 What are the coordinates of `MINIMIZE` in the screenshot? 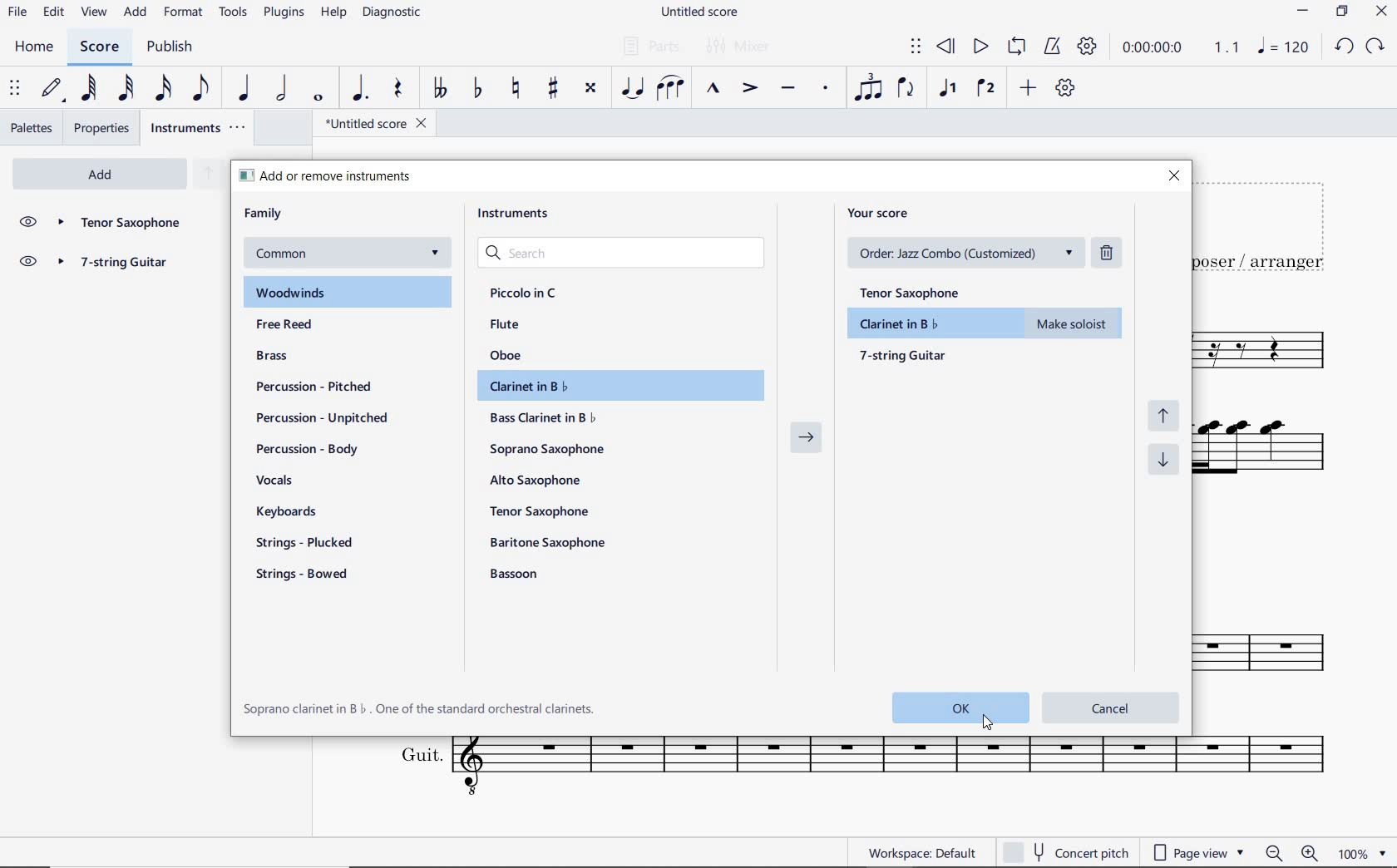 It's located at (1304, 12).